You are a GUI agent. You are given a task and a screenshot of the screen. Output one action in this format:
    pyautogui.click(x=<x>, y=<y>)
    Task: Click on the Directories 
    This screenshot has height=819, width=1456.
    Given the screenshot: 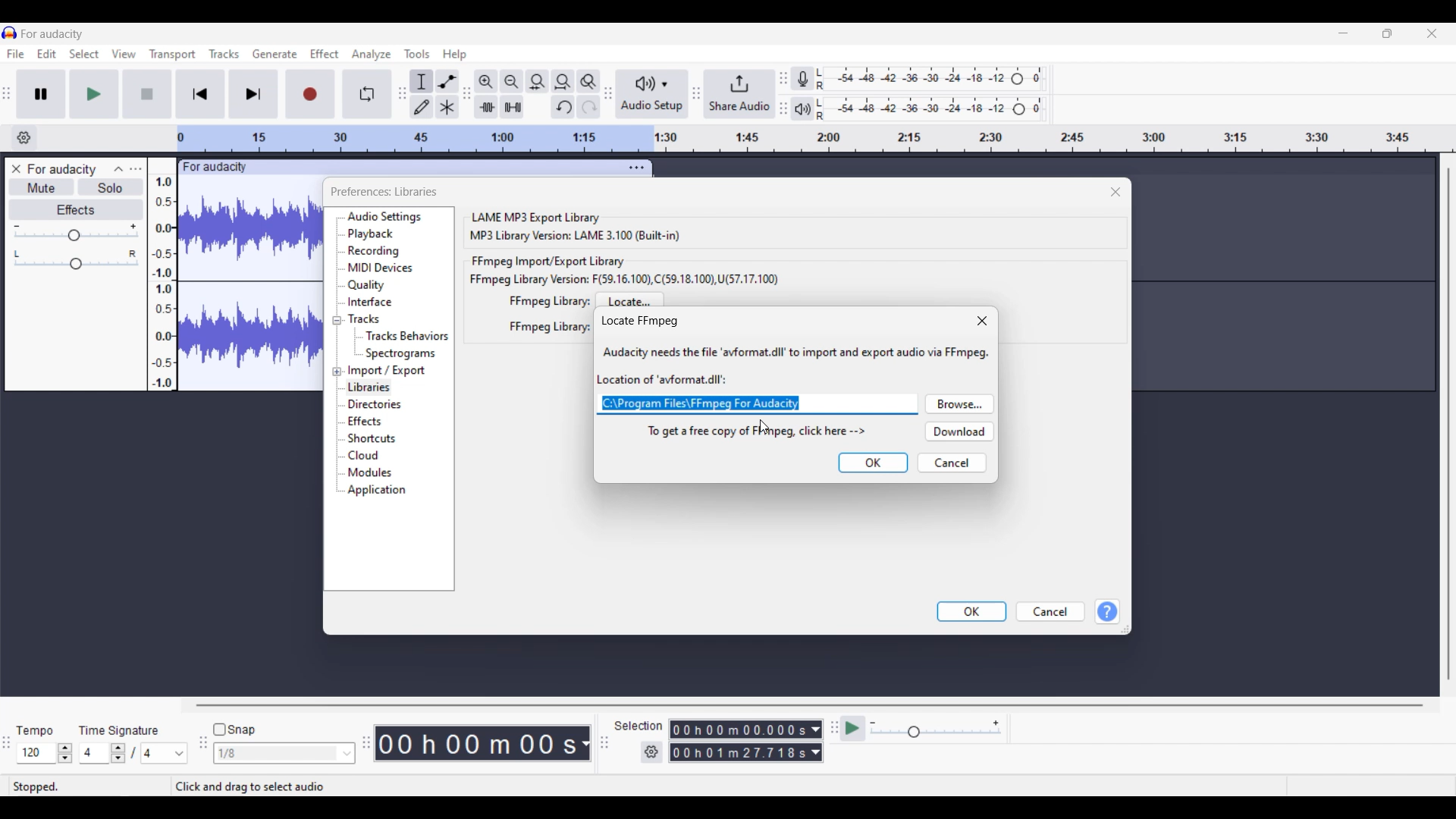 What is the action you would take?
    pyautogui.click(x=378, y=405)
    